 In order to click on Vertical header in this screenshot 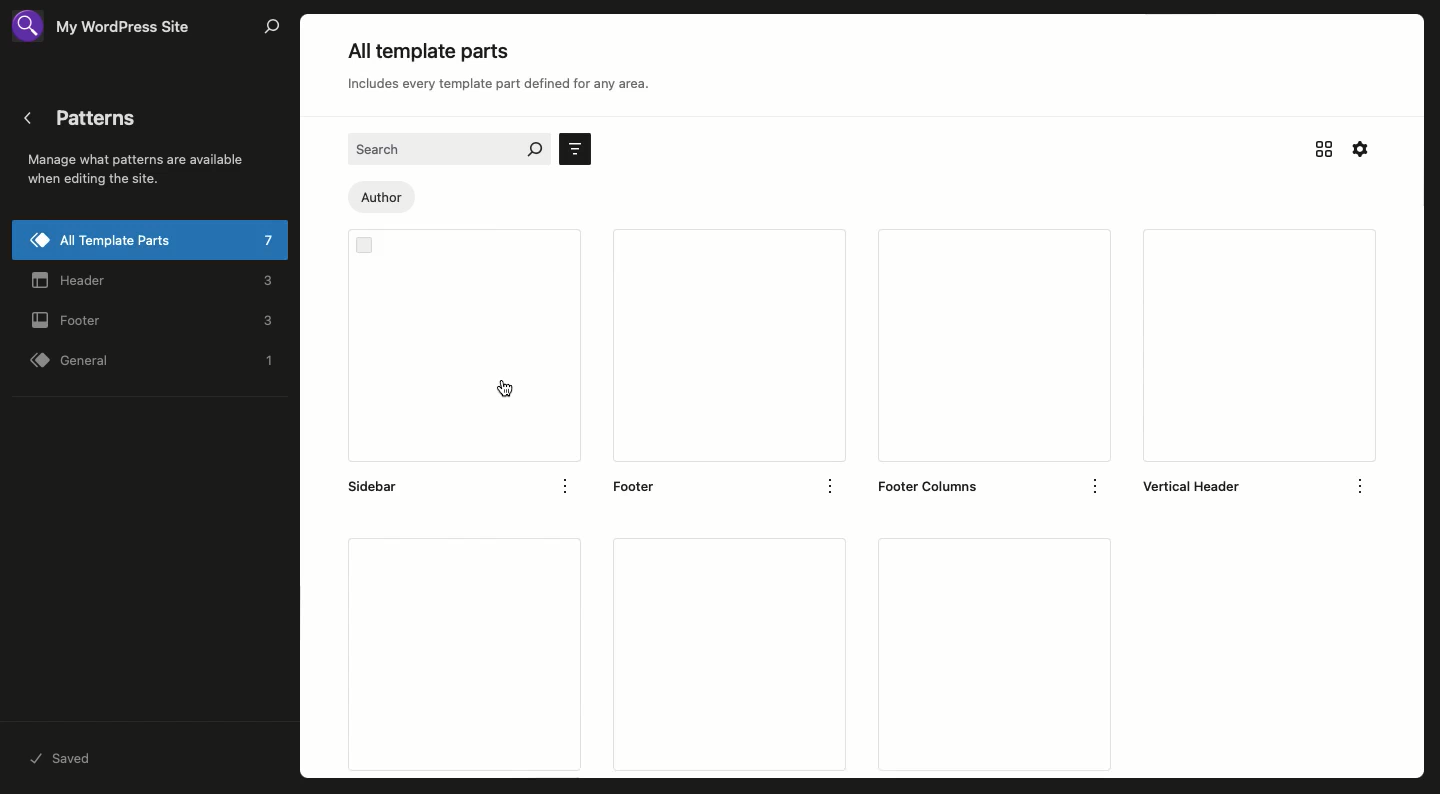, I will do `click(1258, 344)`.